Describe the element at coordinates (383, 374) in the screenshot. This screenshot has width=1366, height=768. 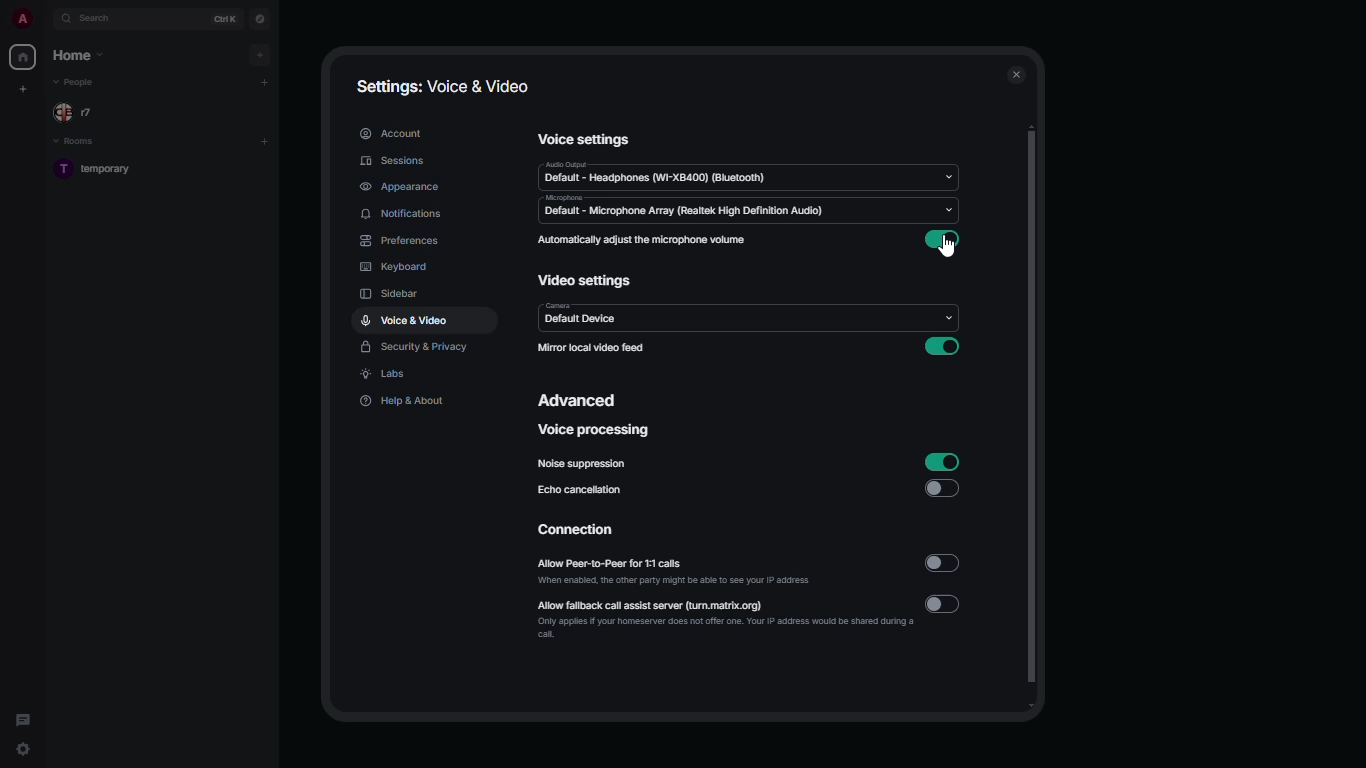
I see `labs` at that location.